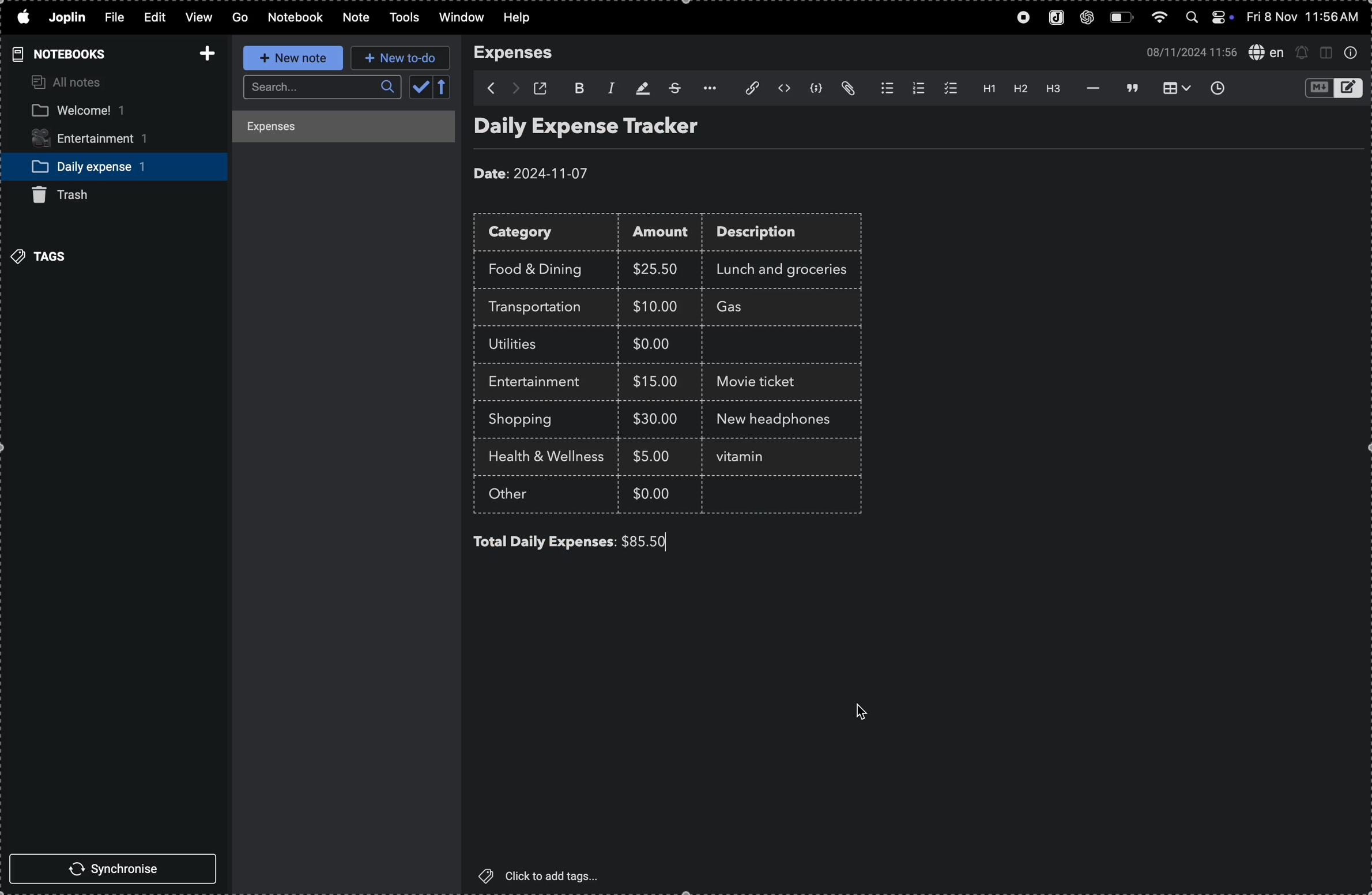  I want to click on date and time, so click(1305, 17).